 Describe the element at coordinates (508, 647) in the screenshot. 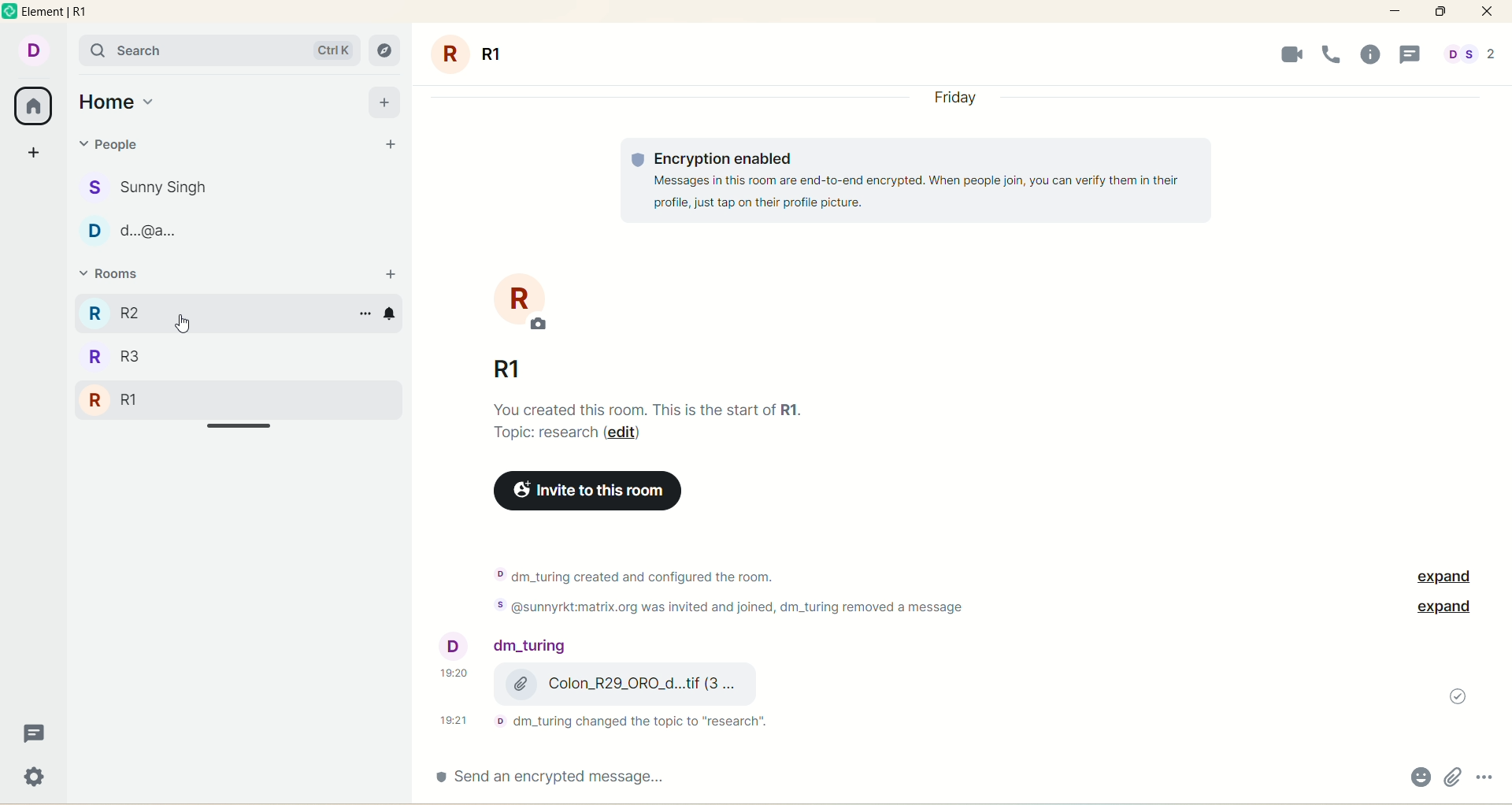

I see `people` at that location.